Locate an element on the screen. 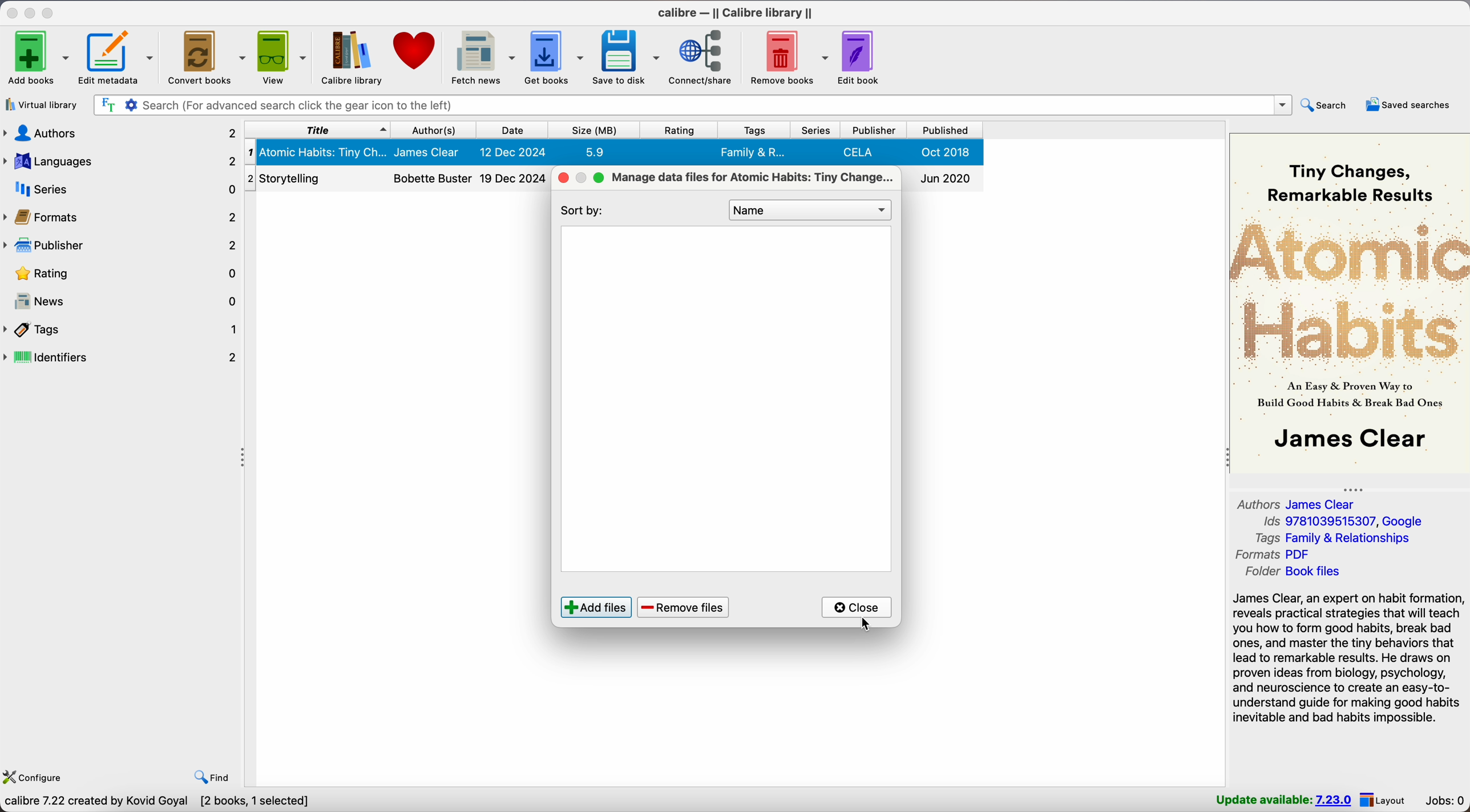 This screenshot has width=1470, height=812. Name is located at coordinates (810, 211).